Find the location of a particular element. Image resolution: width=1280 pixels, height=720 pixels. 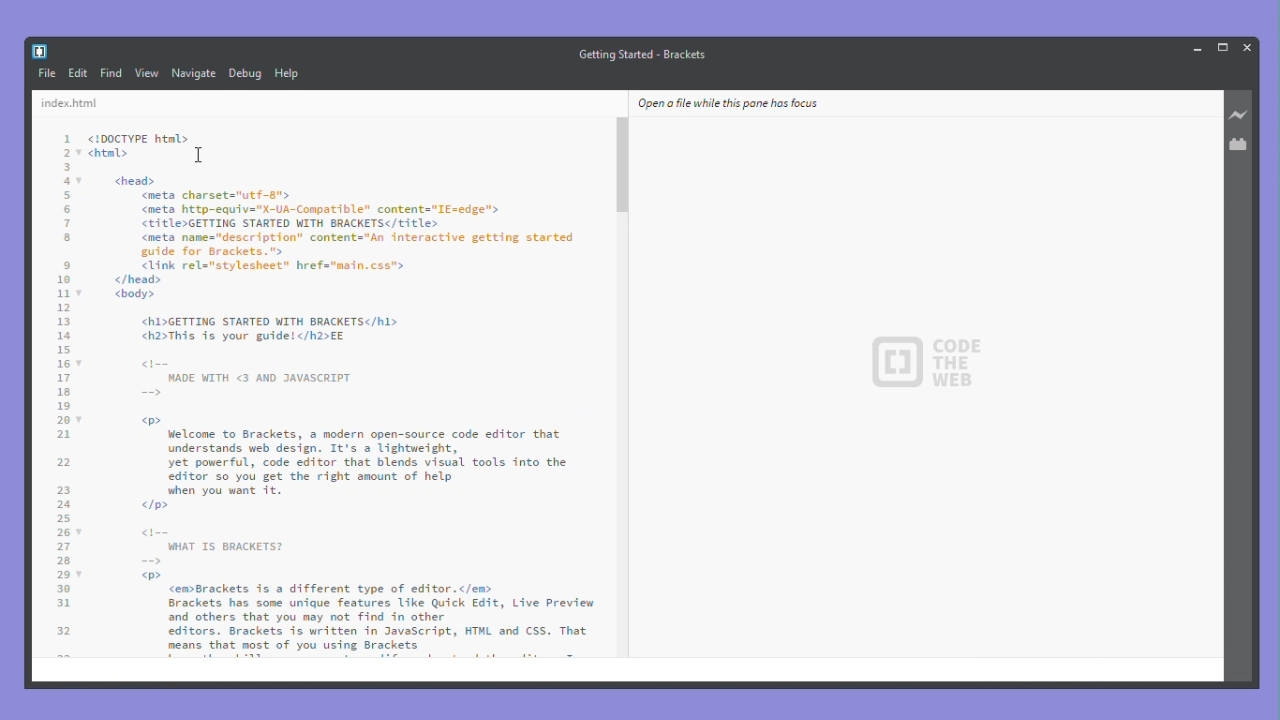

File is located at coordinates (46, 73).